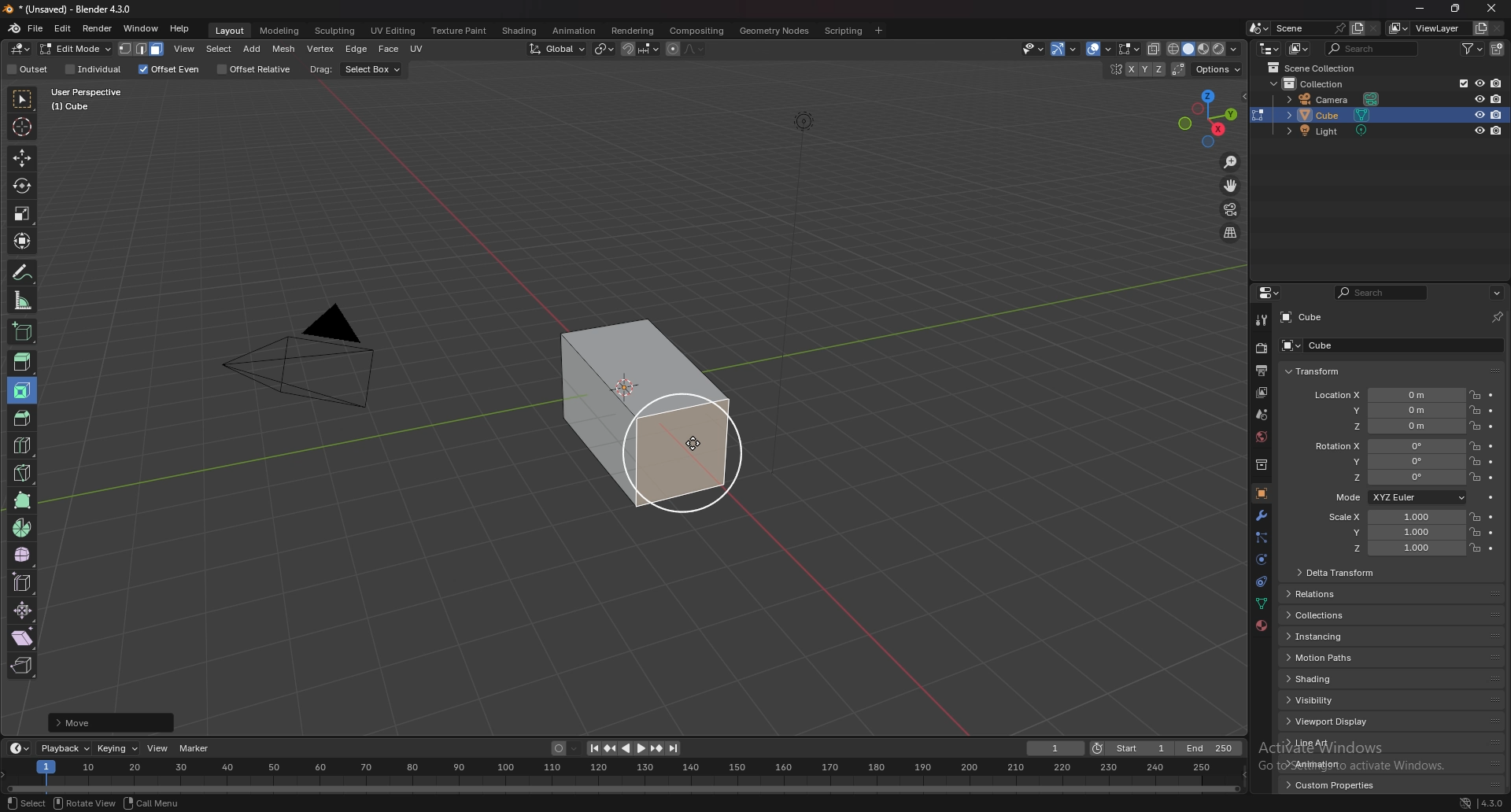 This screenshot has width=1511, height=812. Describe the element at coordinates (1491, 463) in the screenshot. I see `animate property` at that location.